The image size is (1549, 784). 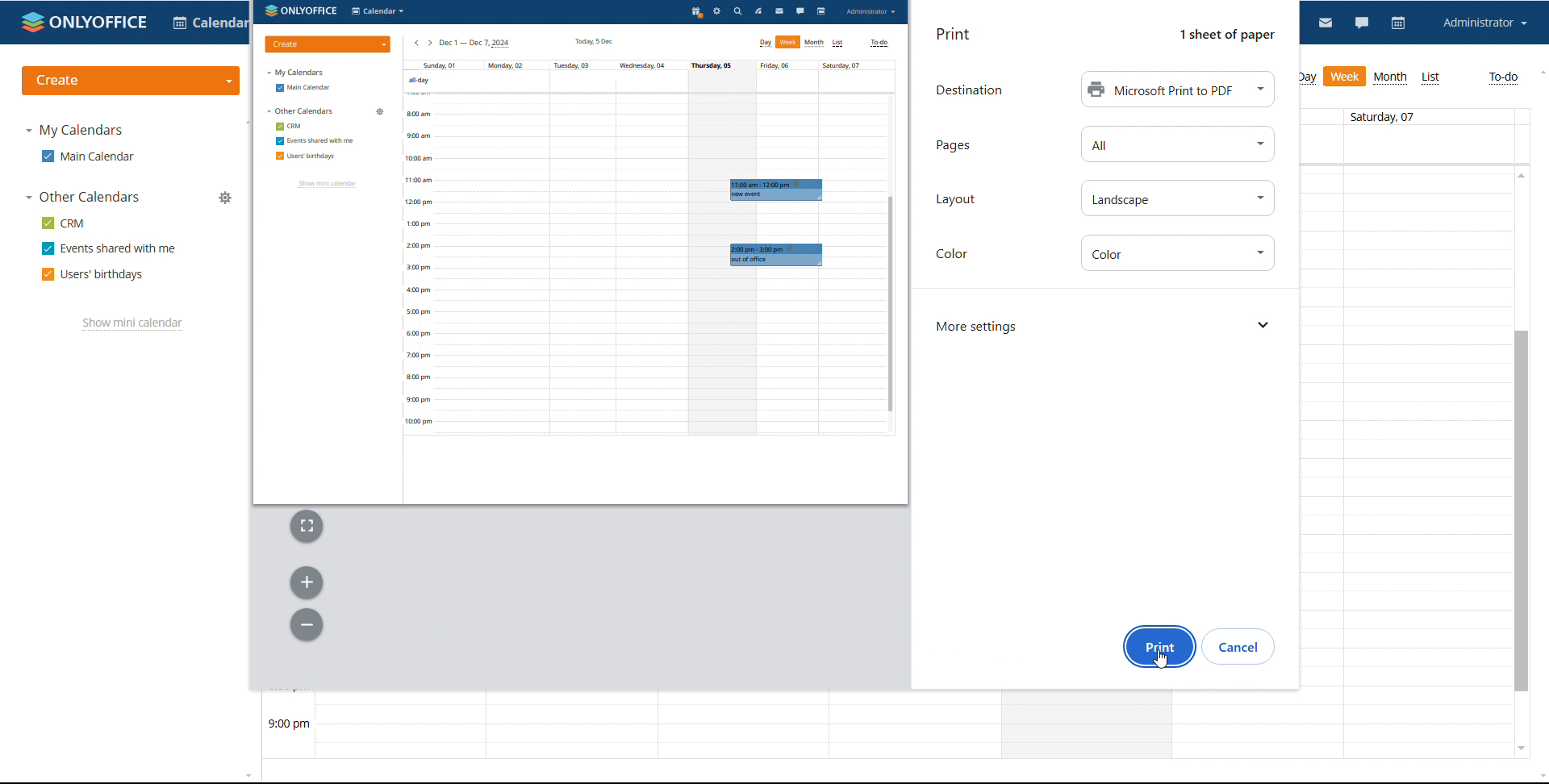 What do you see at coordinates (132, 325) in the screenshot?
I see `show mini calendar` at bounding box center [132, 325].